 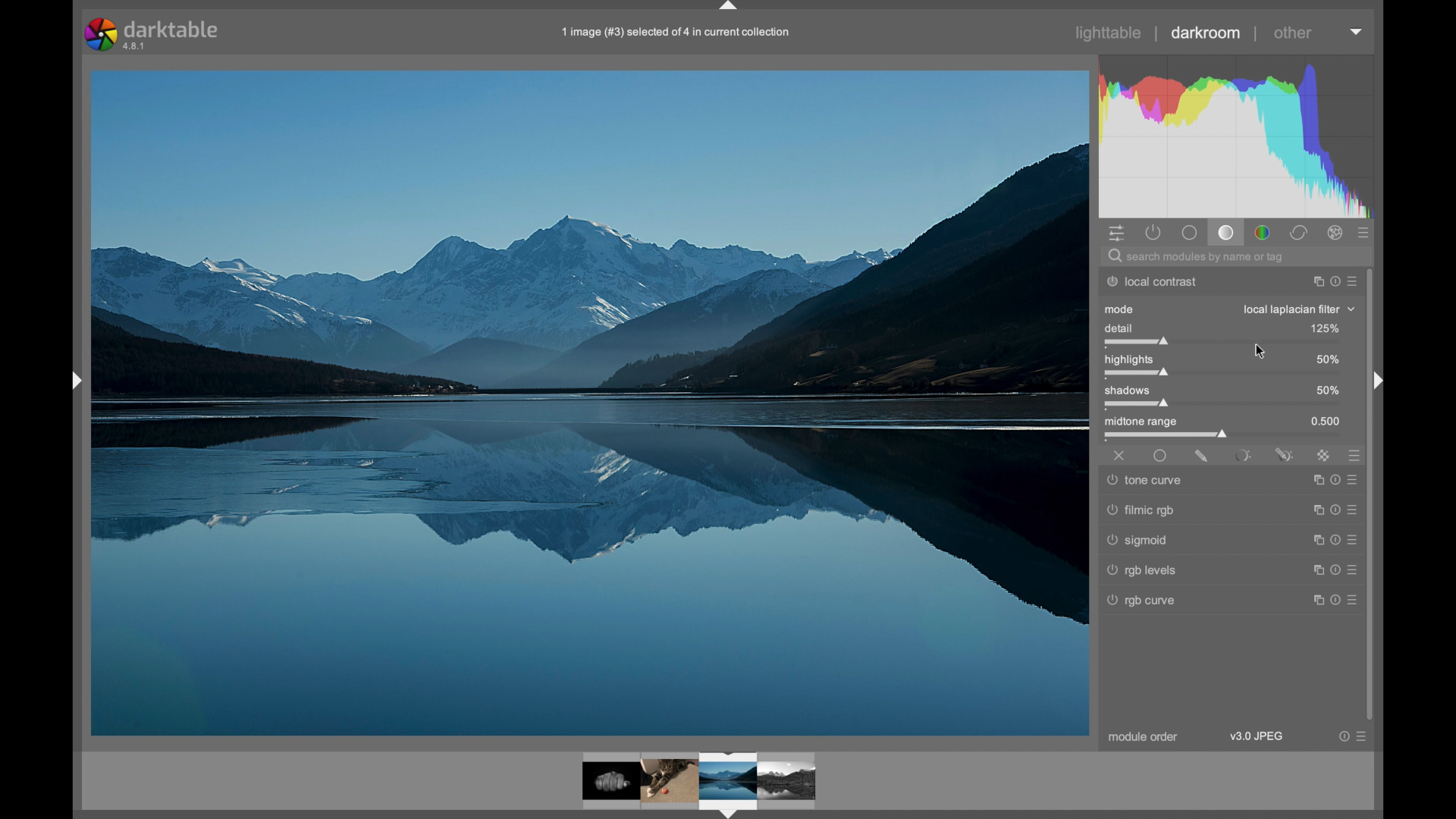 I want to click on histogram, so click(x=1237, y=134).